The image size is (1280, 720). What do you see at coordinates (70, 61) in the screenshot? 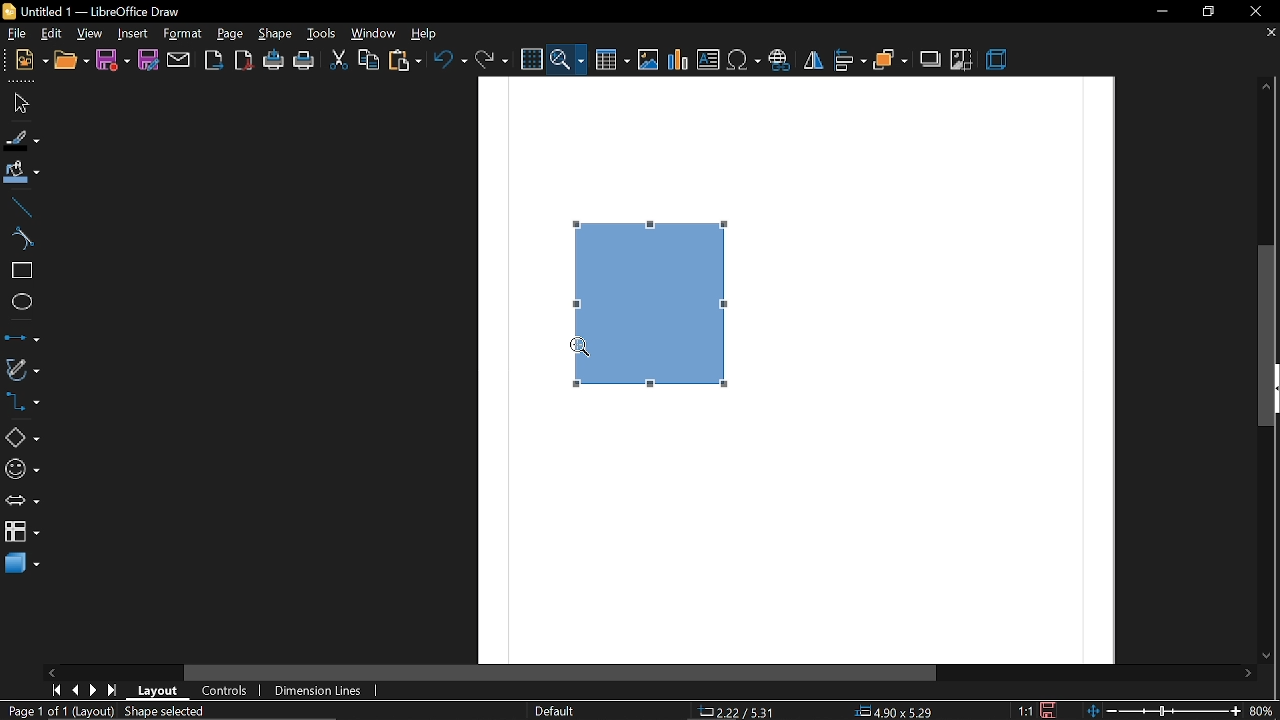
I see `open ` at bounding box center [70, 61].